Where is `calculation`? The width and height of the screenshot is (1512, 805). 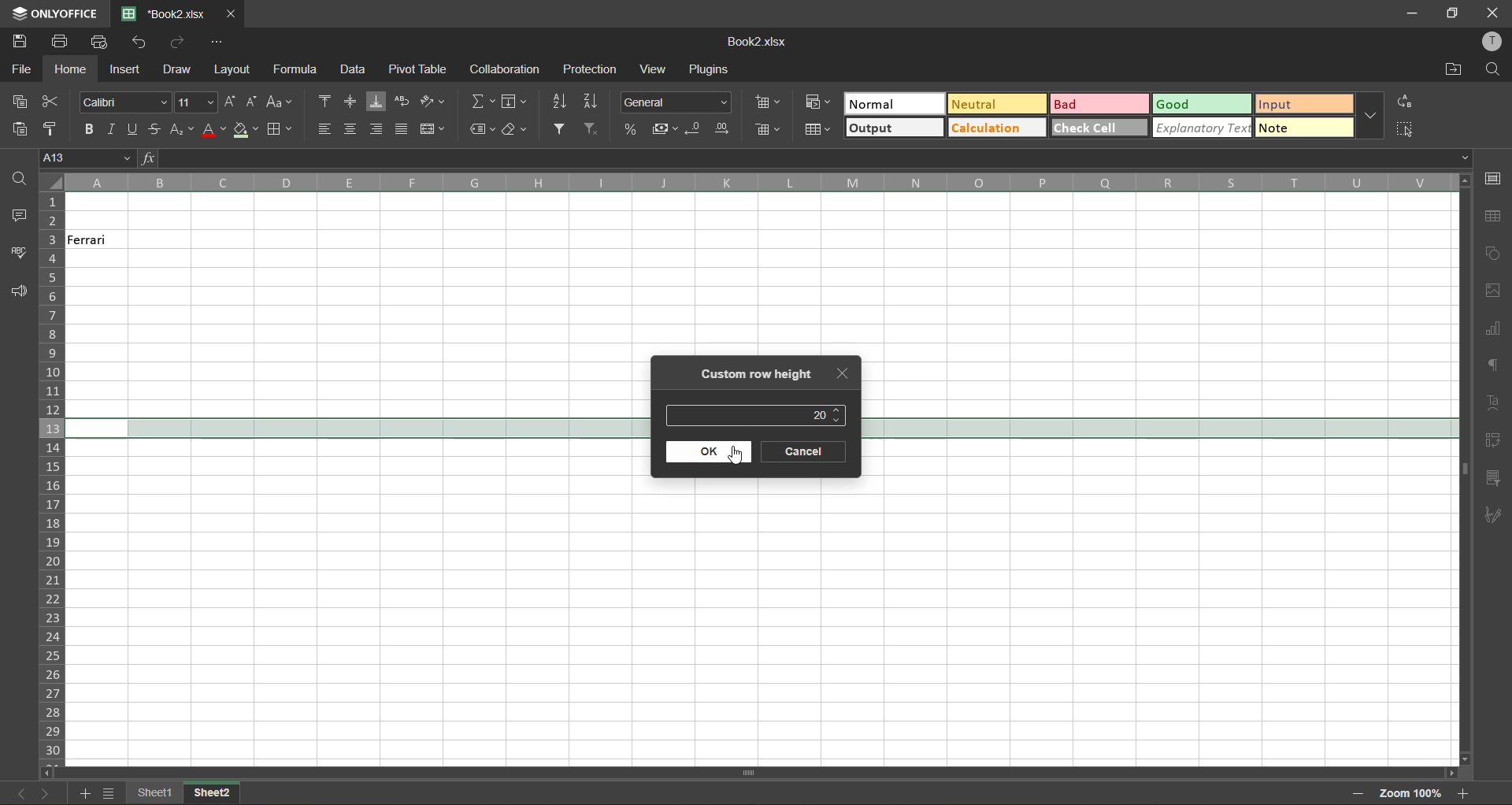 calculation is located at coordinates (997, 128).